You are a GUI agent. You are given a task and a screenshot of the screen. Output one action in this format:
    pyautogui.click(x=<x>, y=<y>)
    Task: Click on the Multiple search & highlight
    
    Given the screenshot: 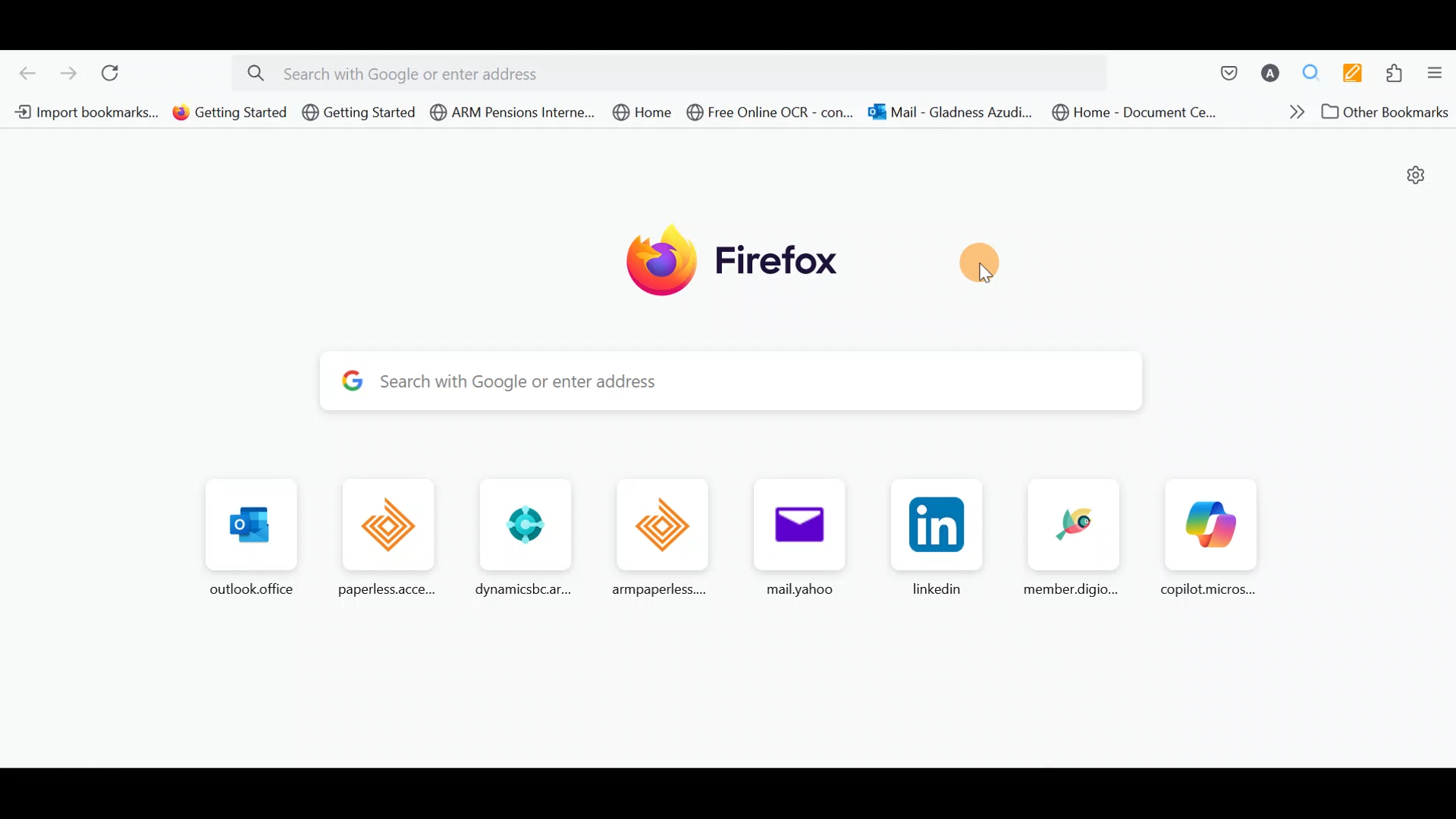 What is the action you would take?
    pyautogui.click(x=1313, y=69)
    